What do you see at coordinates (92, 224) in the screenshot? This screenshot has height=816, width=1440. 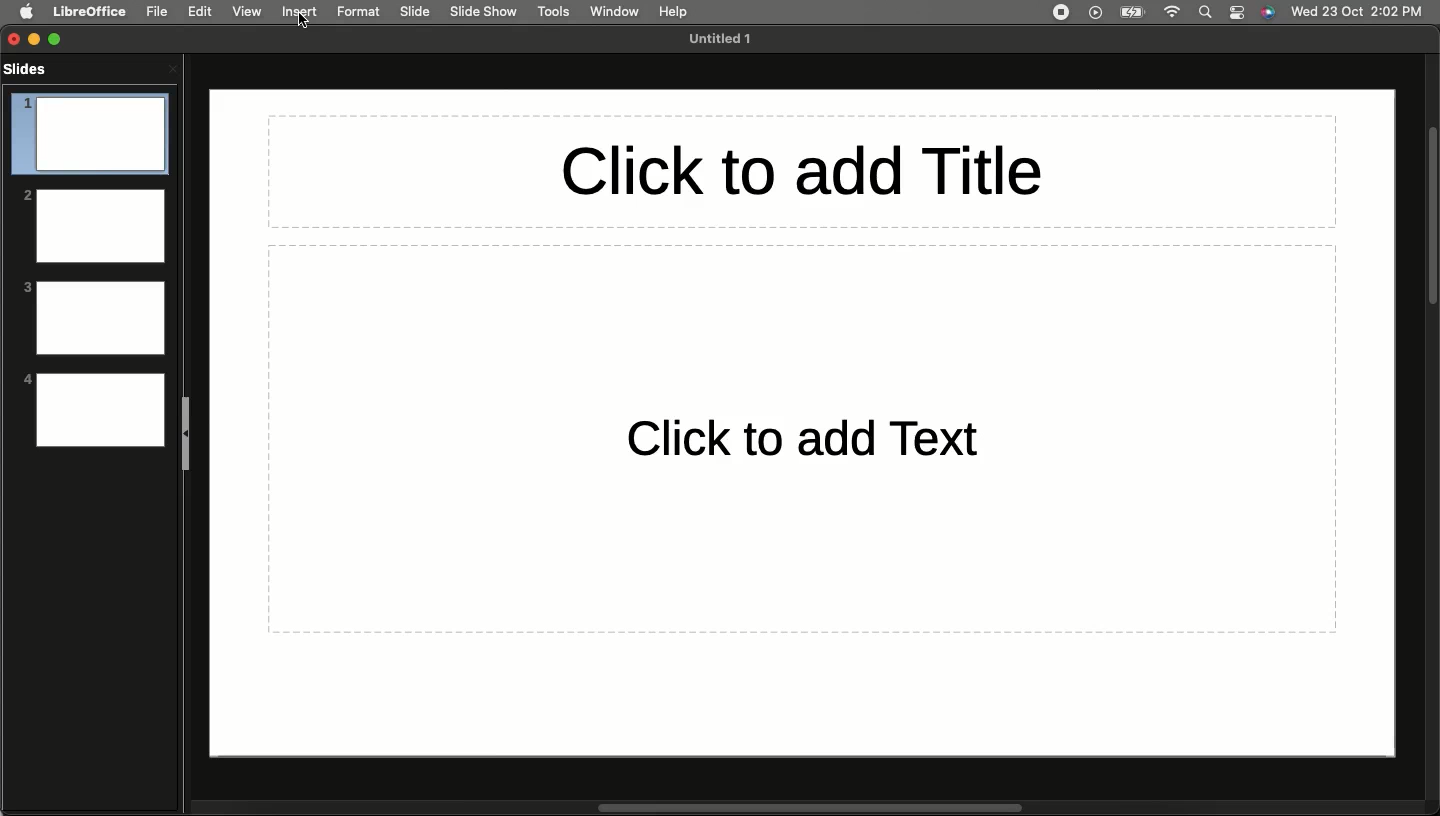 I see `2` at bounding box center [92, 224].